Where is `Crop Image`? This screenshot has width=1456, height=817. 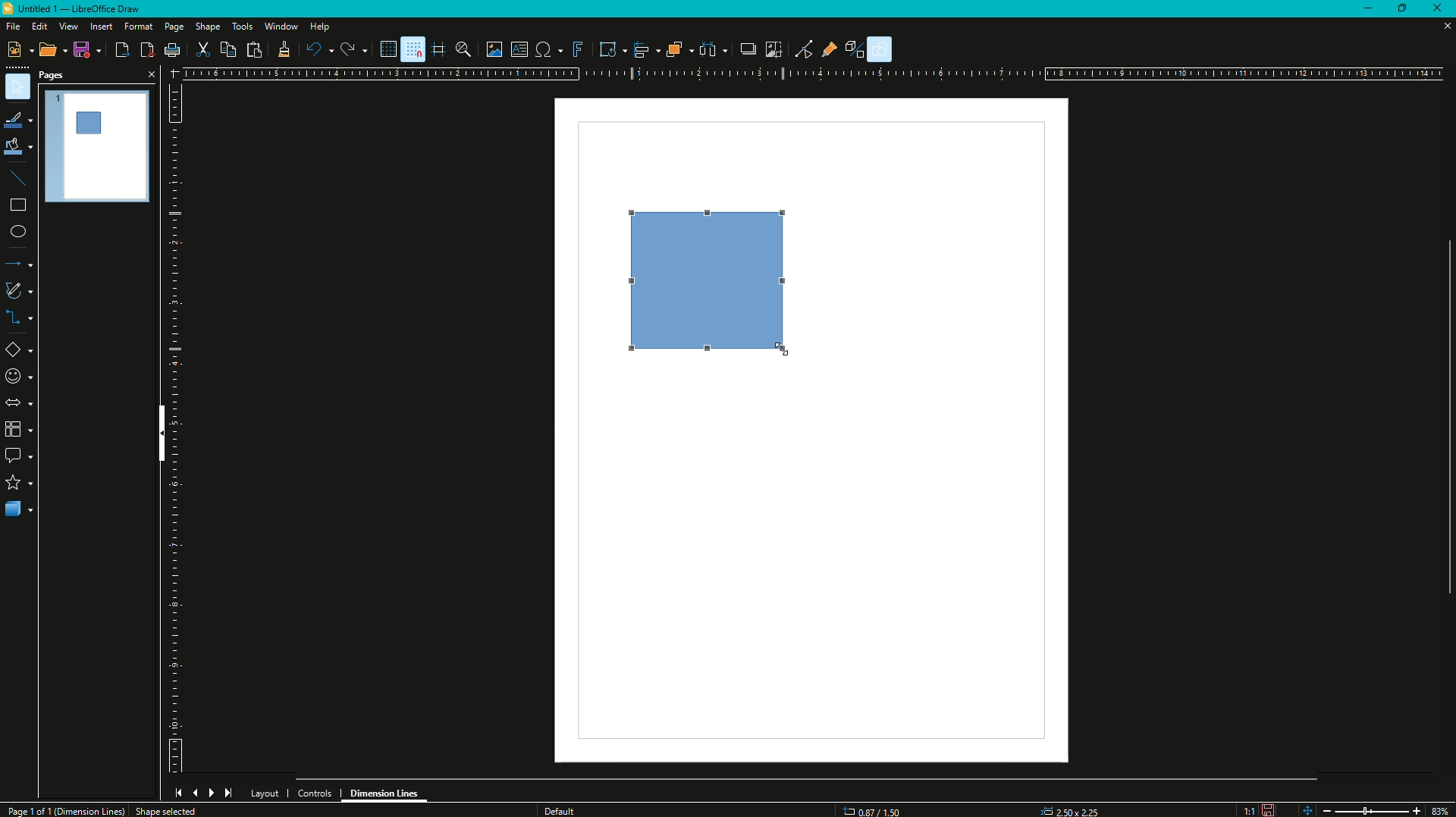 Crop Image is located at coordinates (770, 48).